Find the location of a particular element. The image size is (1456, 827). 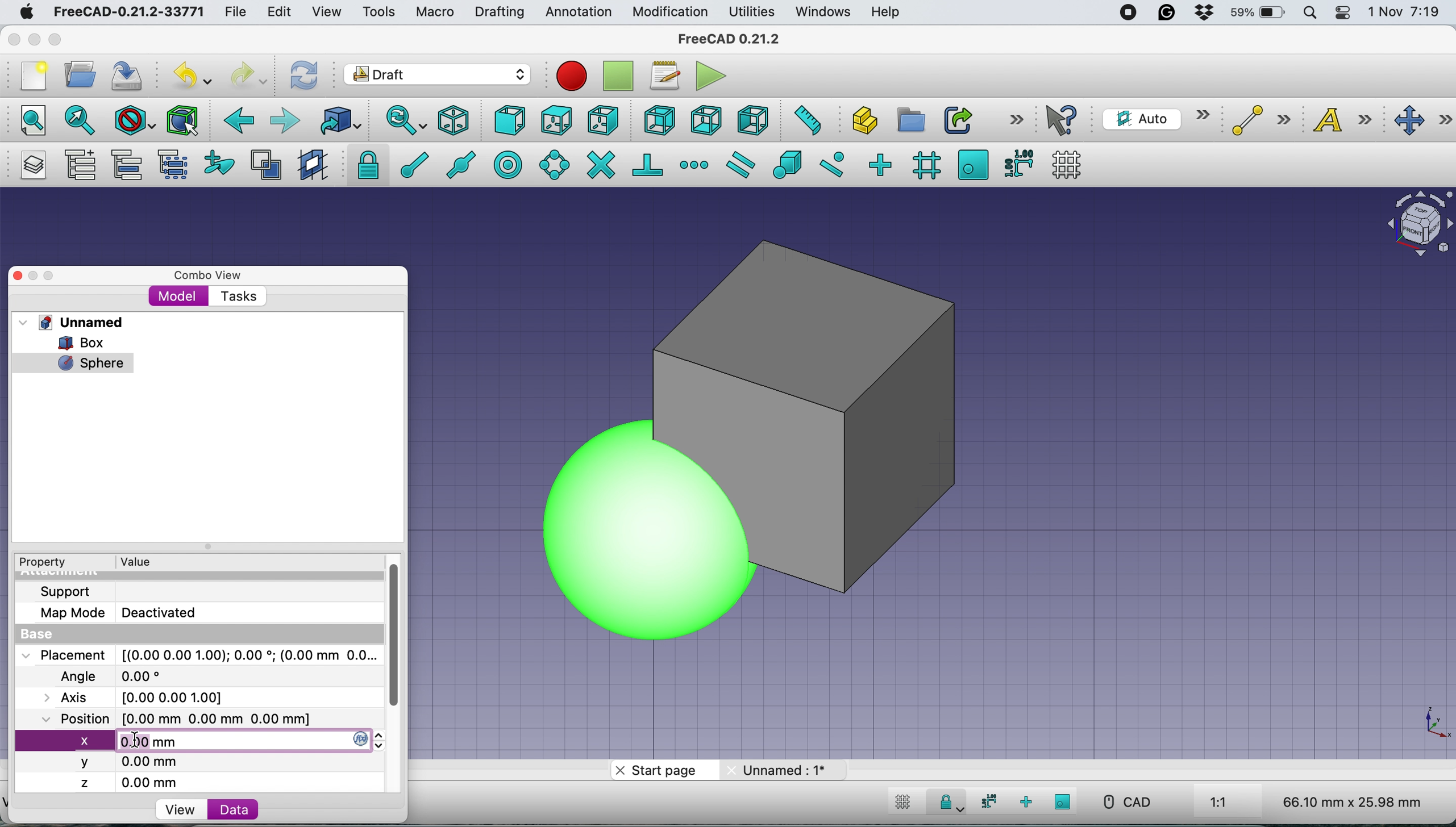

value is located at coordinates (147, 561).